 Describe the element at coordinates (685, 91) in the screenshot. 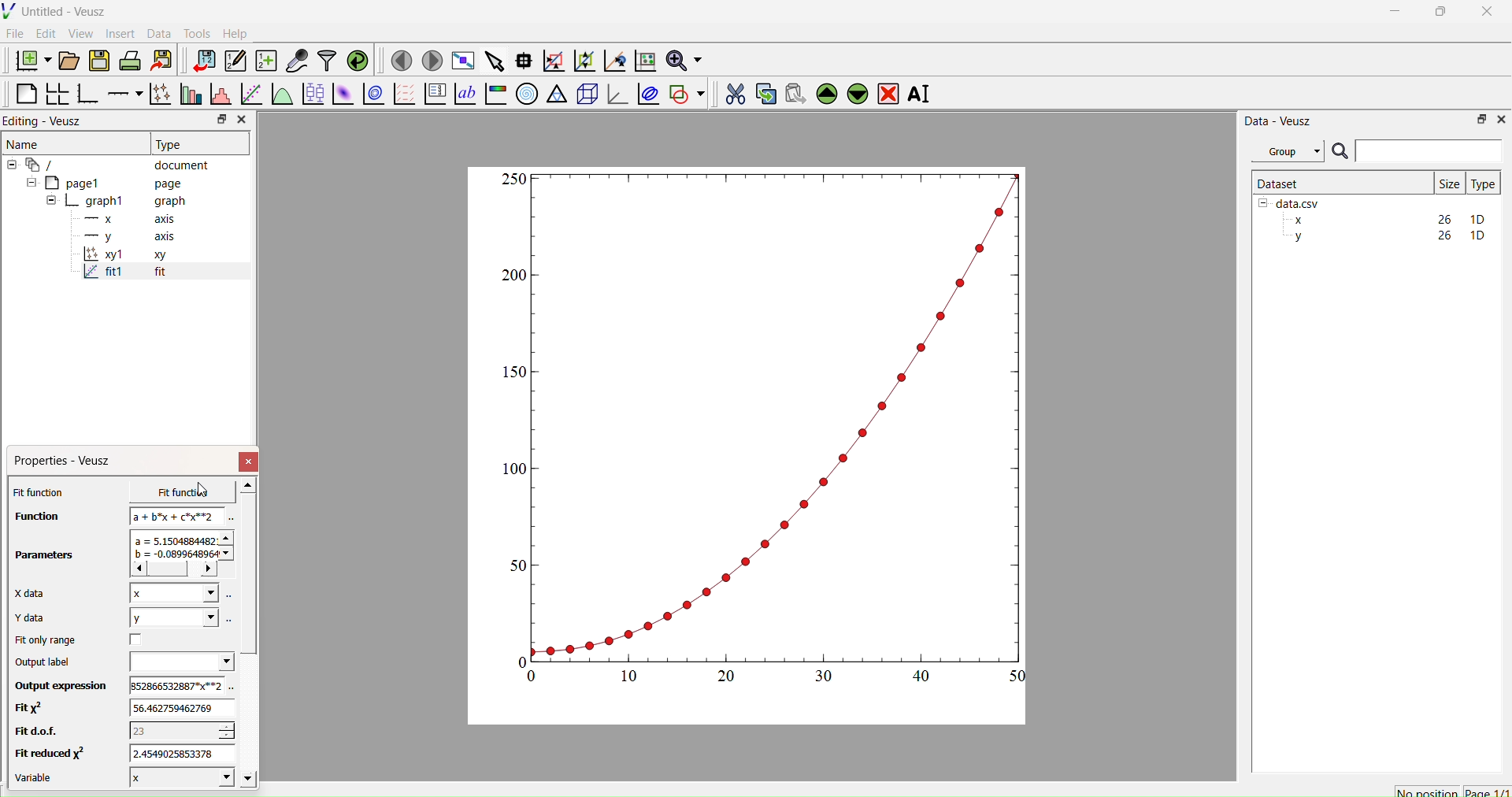

I see `Add Shape` at that location.